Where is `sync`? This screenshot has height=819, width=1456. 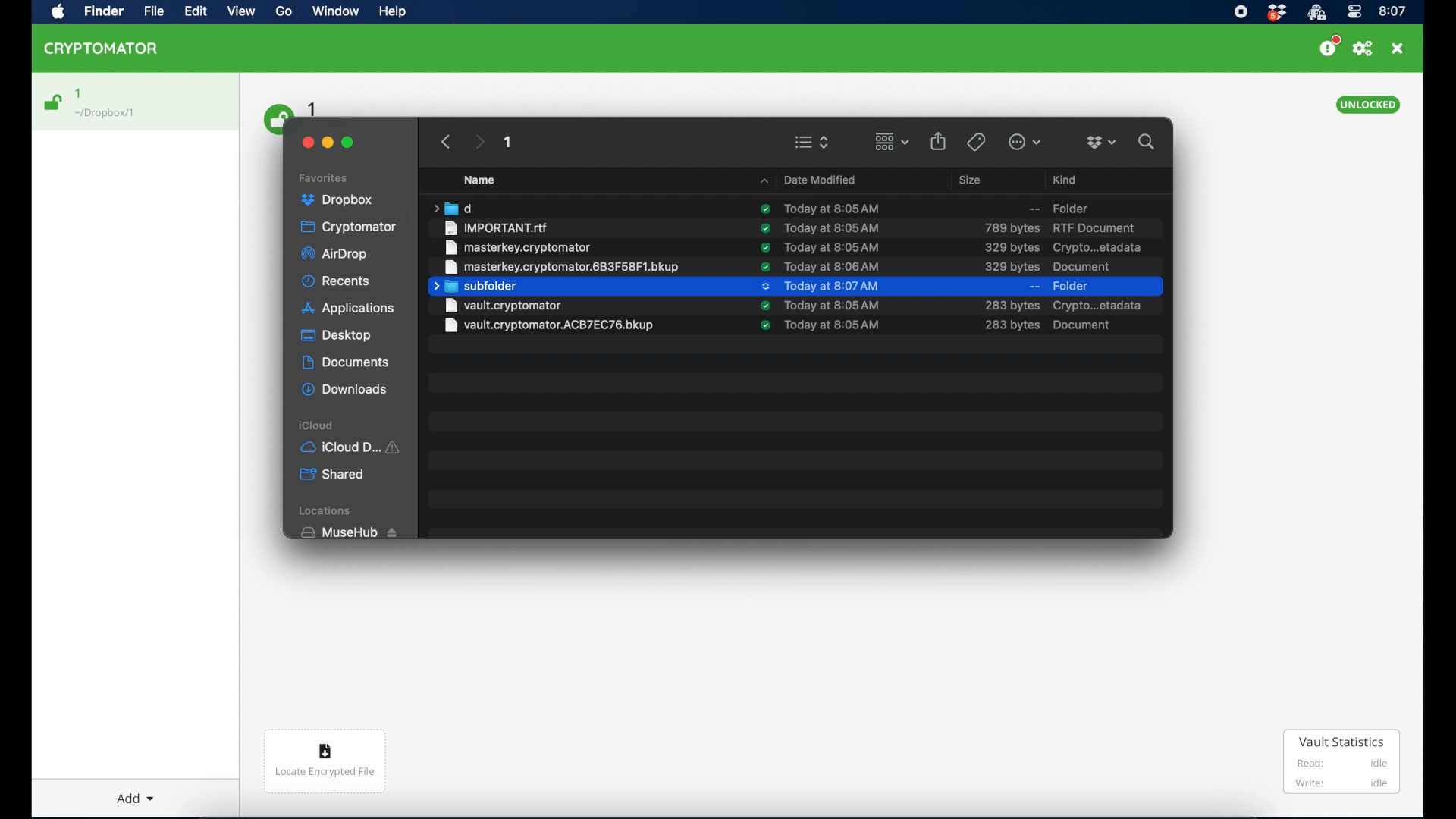 sync is located at coordinates (764, 330).